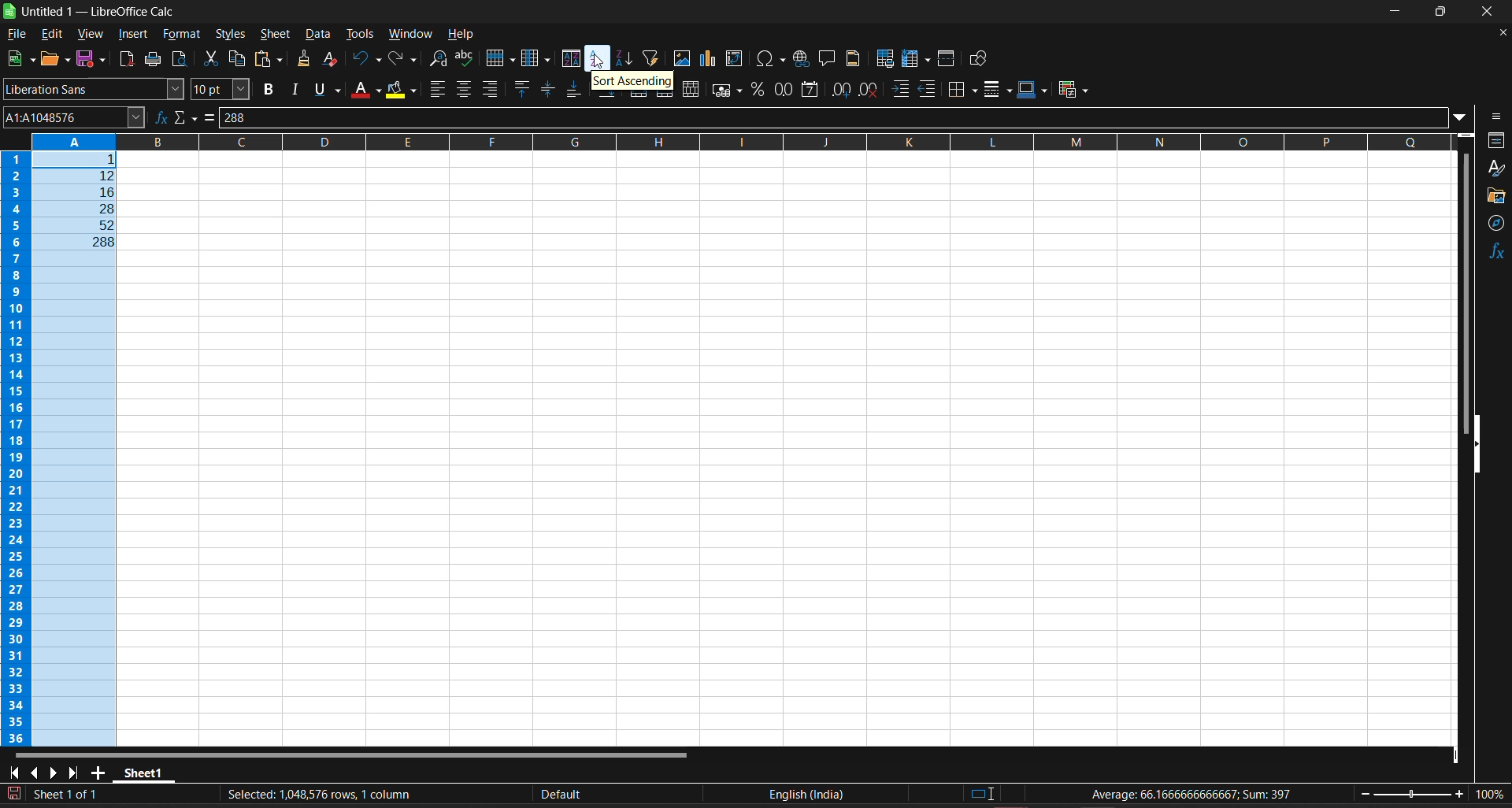  I want to click on insert image, so click(680, 59).